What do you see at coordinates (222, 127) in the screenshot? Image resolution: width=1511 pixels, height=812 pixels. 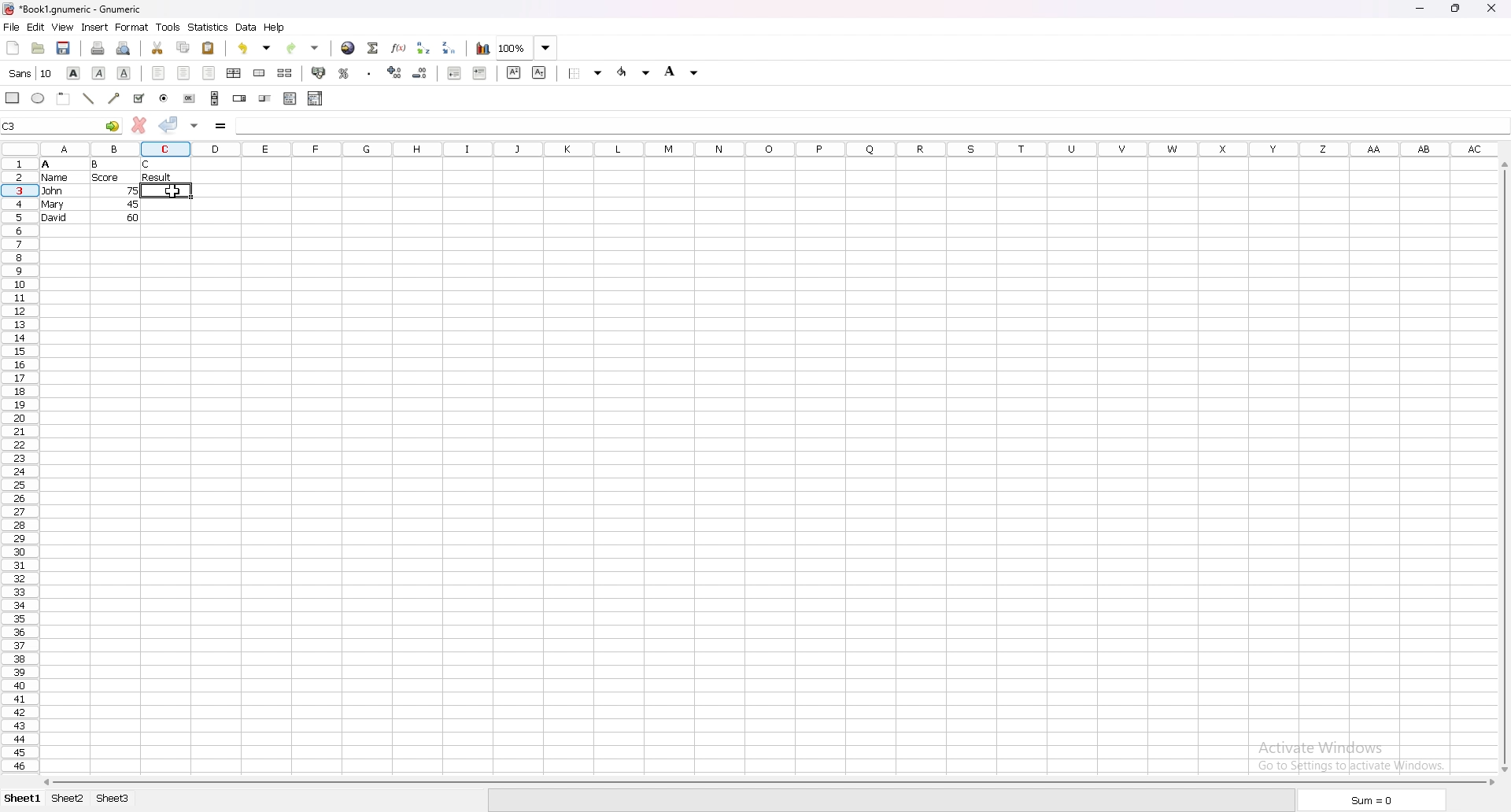 I see `formula` at bounding box center [222, 127].